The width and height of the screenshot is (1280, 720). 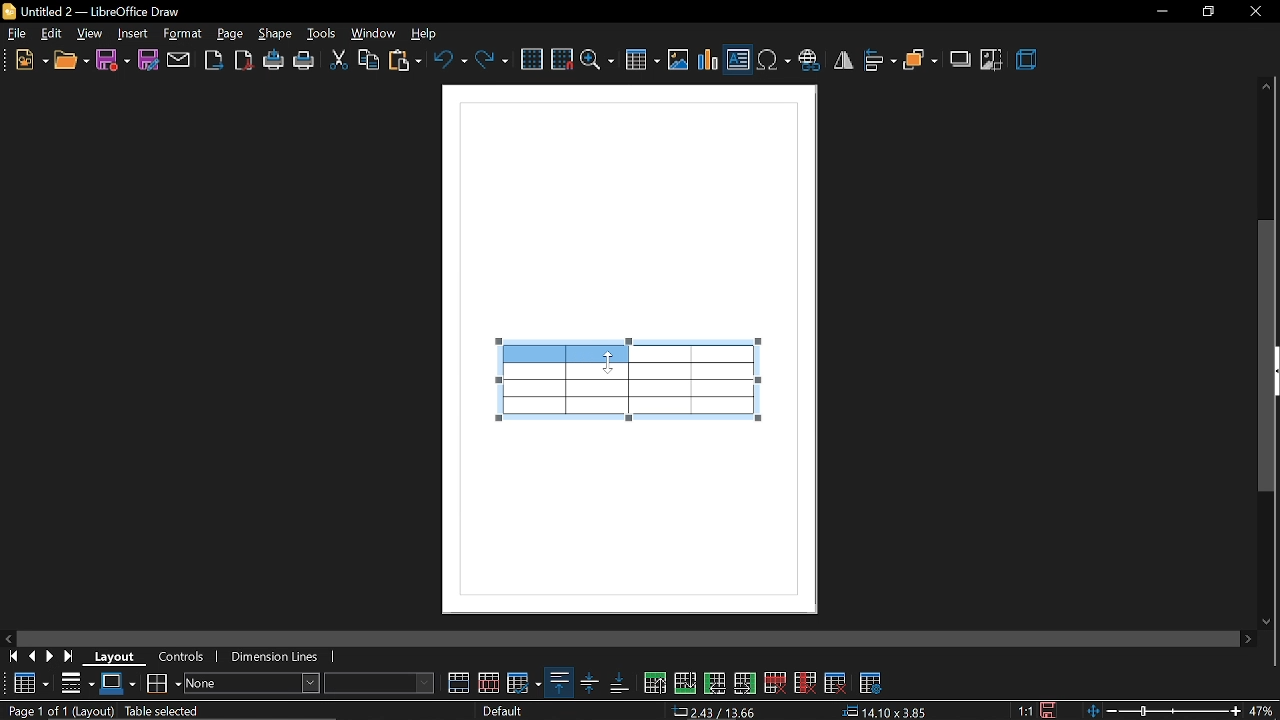 What do you see at coordinates (14, 33) in the screenshot?
I see `file` at bounding box center [14, 33].